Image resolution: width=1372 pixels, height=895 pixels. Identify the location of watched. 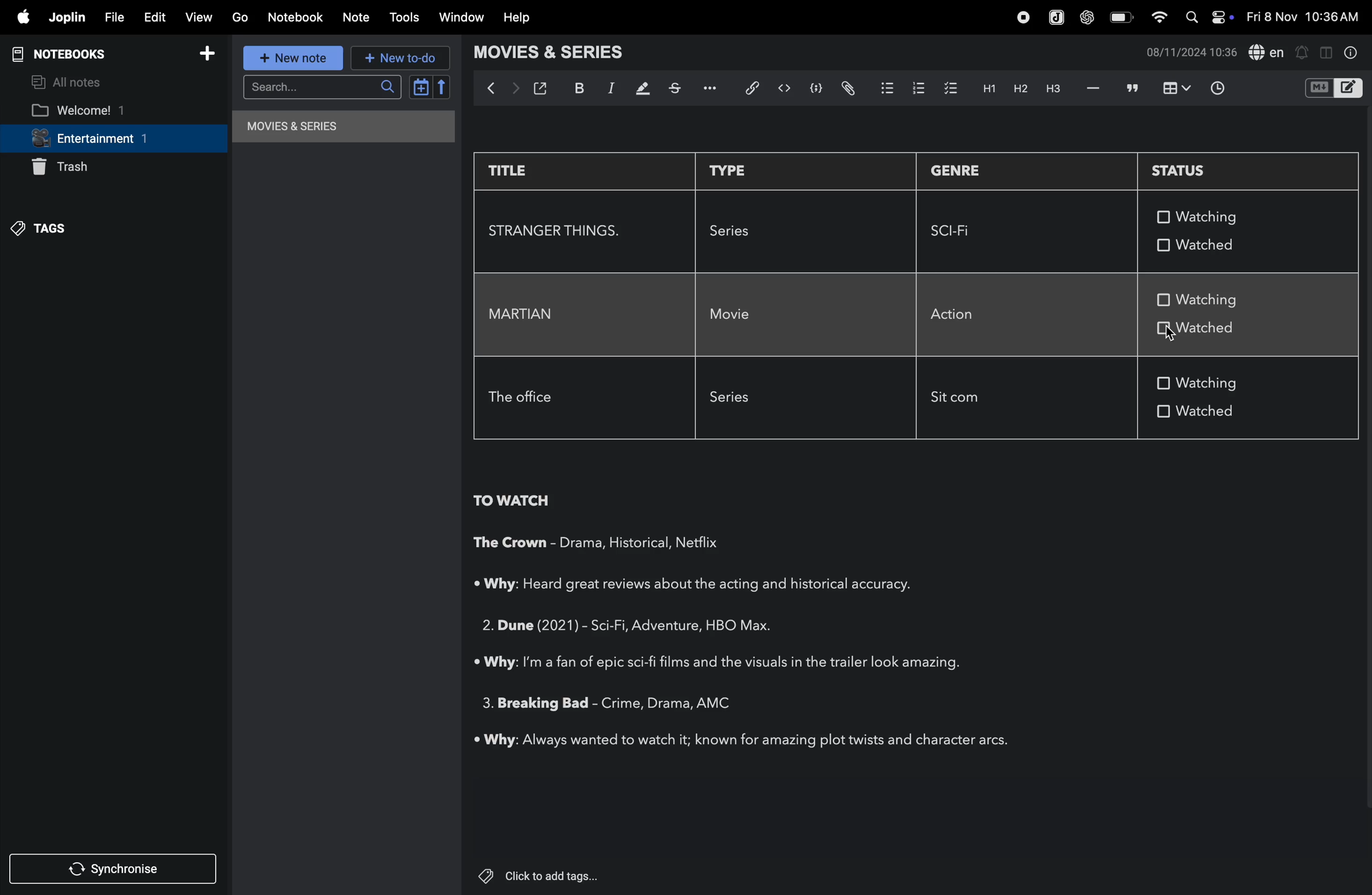
(1234, 415).